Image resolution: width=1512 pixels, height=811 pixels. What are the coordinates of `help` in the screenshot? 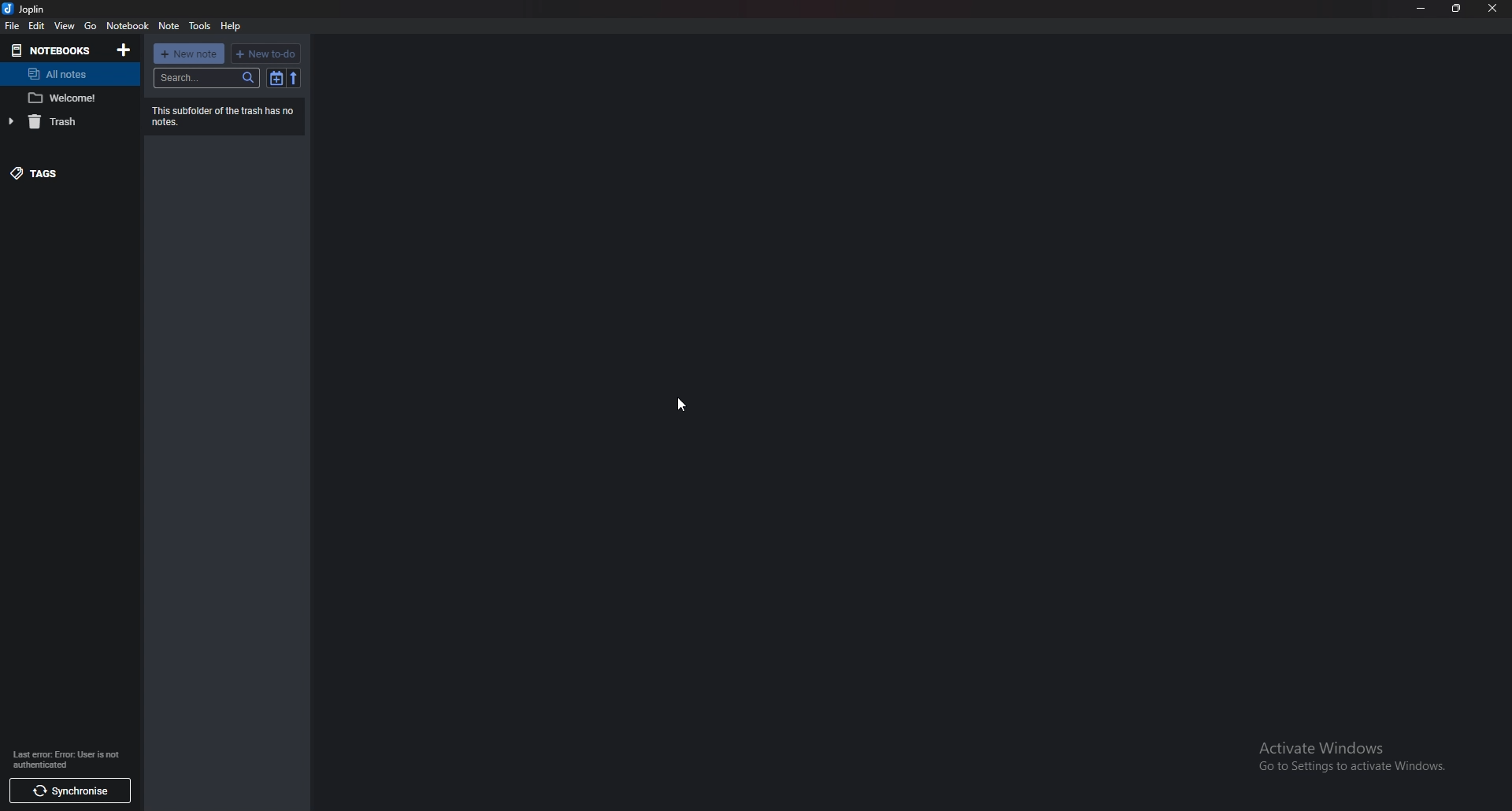 It's located at (230, 27).